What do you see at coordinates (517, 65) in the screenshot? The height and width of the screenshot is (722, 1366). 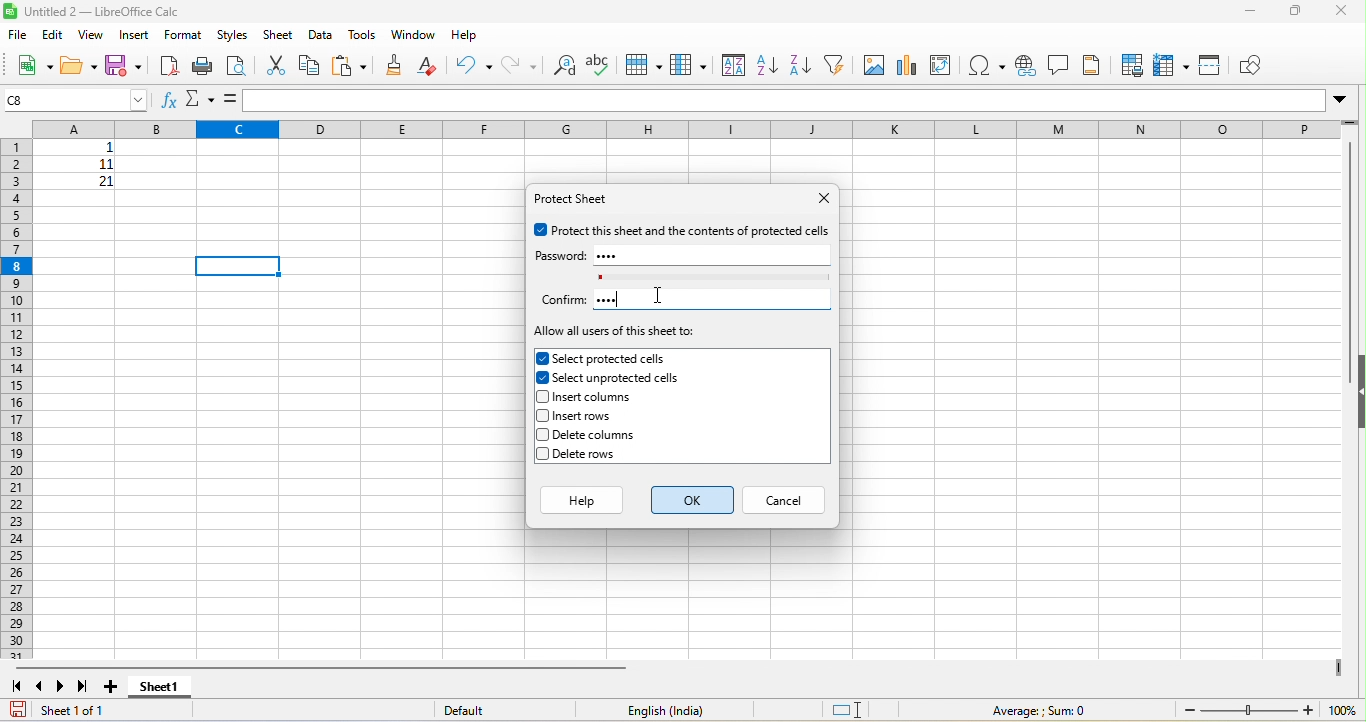 I see `redo` at bounding box center [517, 65].